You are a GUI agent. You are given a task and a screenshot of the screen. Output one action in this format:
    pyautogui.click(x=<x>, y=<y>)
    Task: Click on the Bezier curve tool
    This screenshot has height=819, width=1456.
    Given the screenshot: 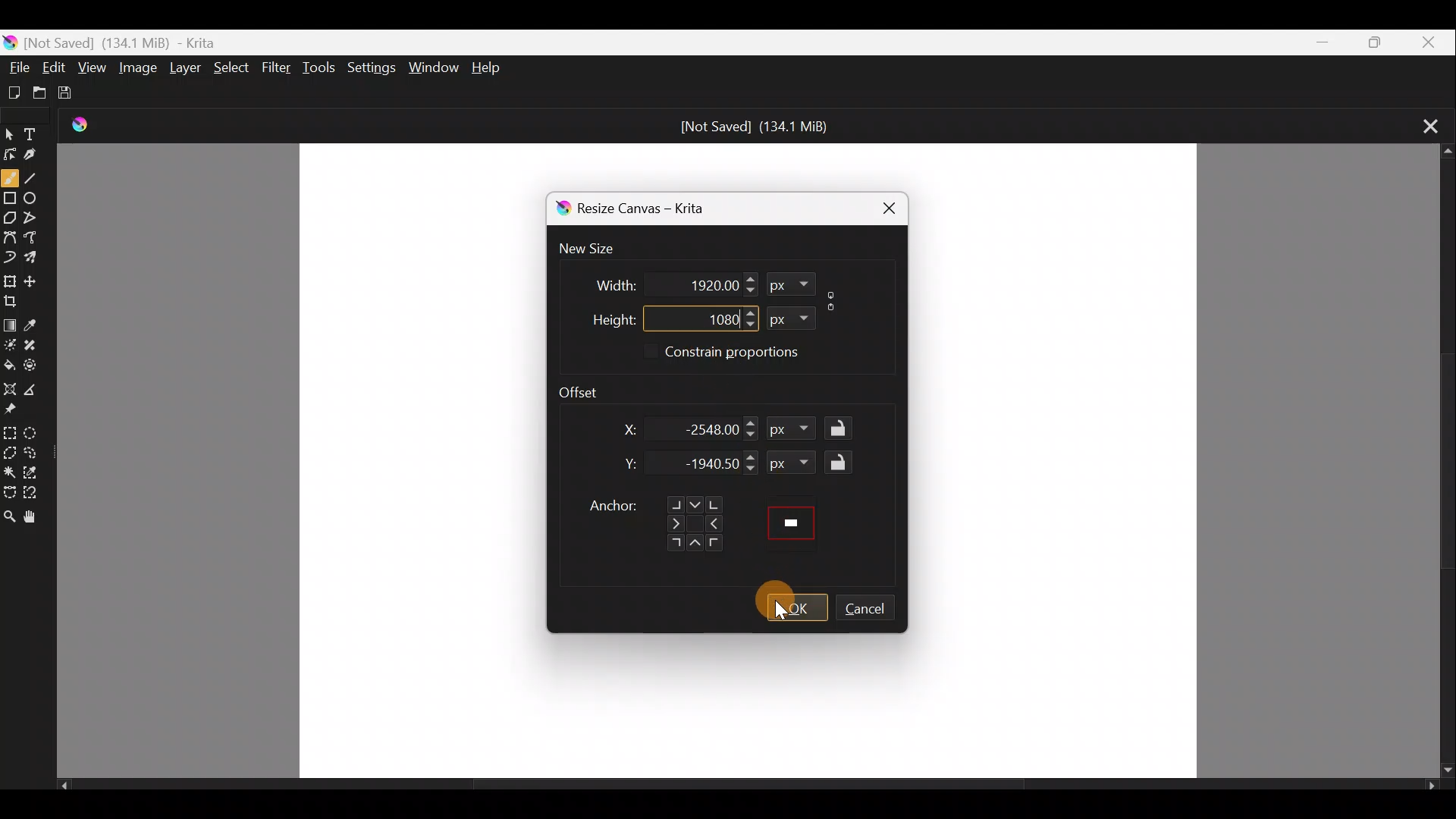 What is the action you would take?
    pyautogui.click(x=11, y=235)
    